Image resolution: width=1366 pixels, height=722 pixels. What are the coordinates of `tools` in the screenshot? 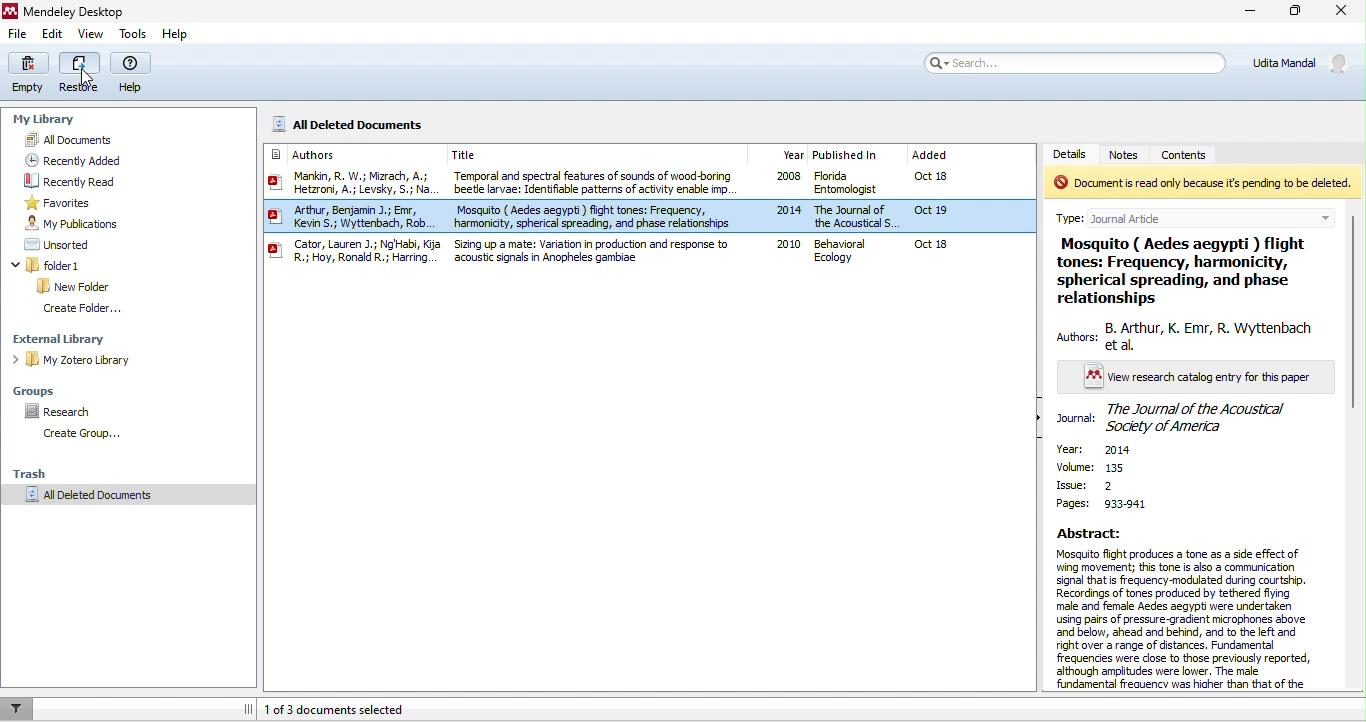 It's located at (137, 34).